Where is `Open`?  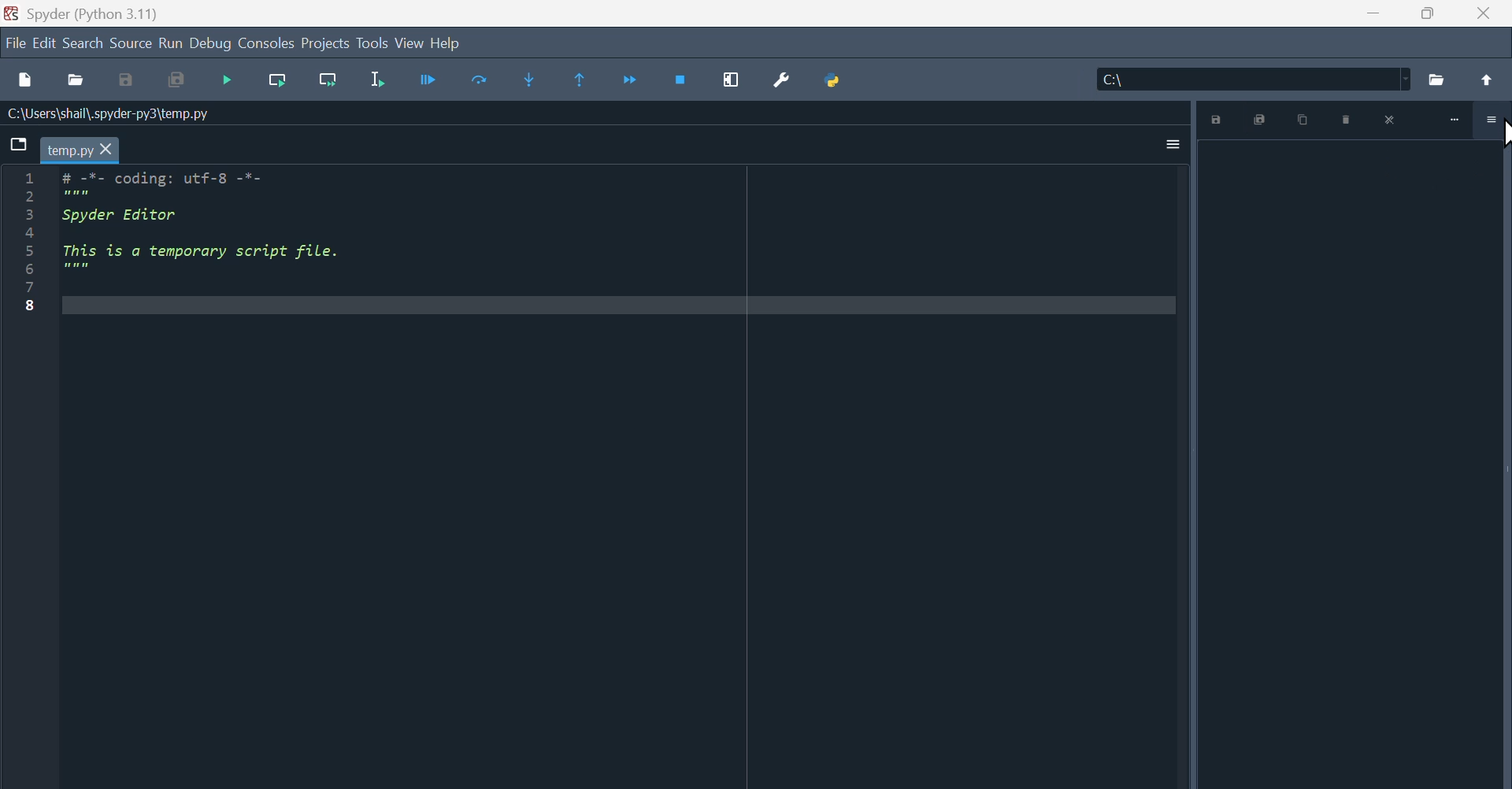
Open is located at coordinates (76, 80).